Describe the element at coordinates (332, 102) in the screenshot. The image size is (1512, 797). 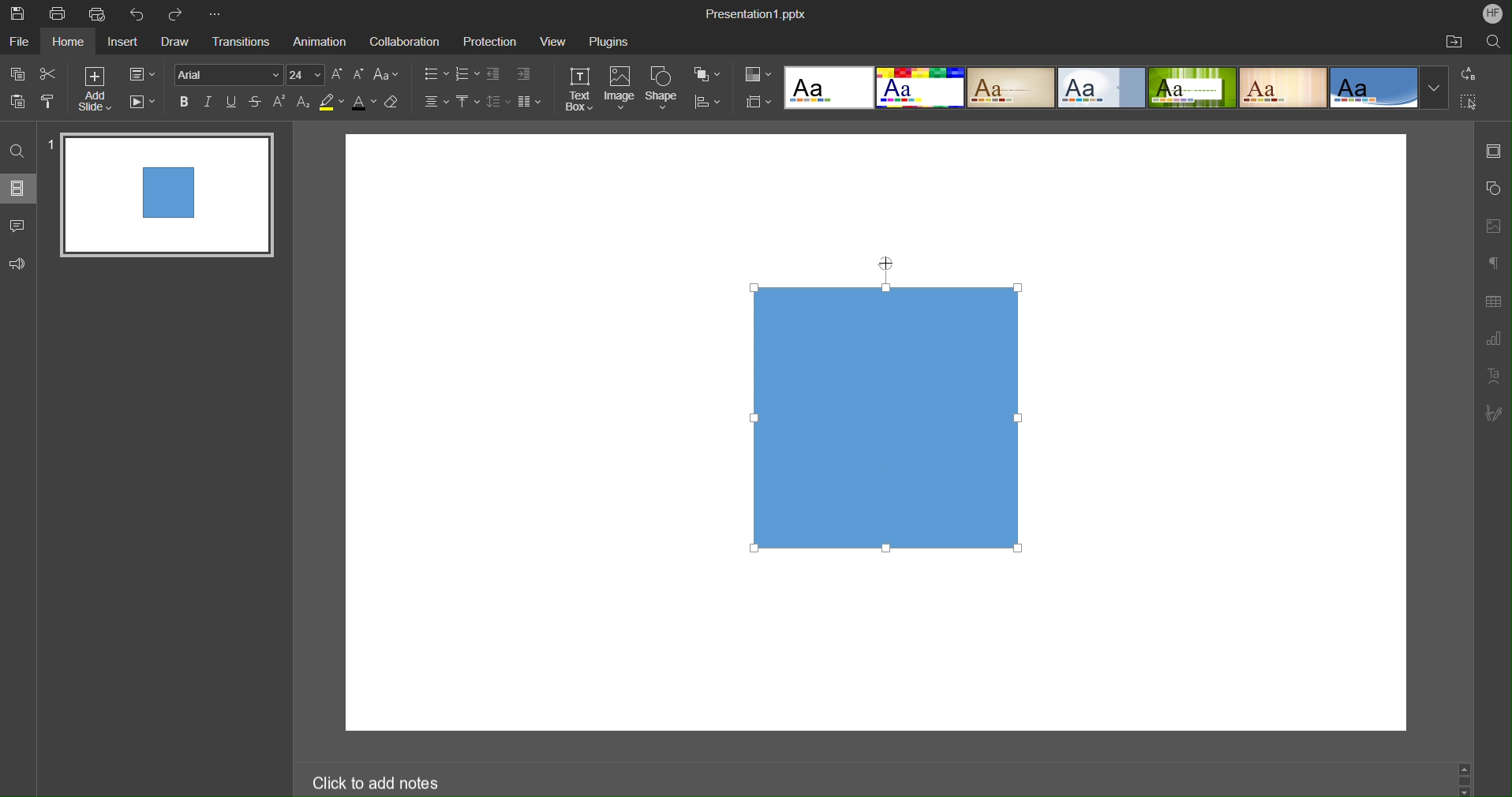
I see `Highlight` at that location.